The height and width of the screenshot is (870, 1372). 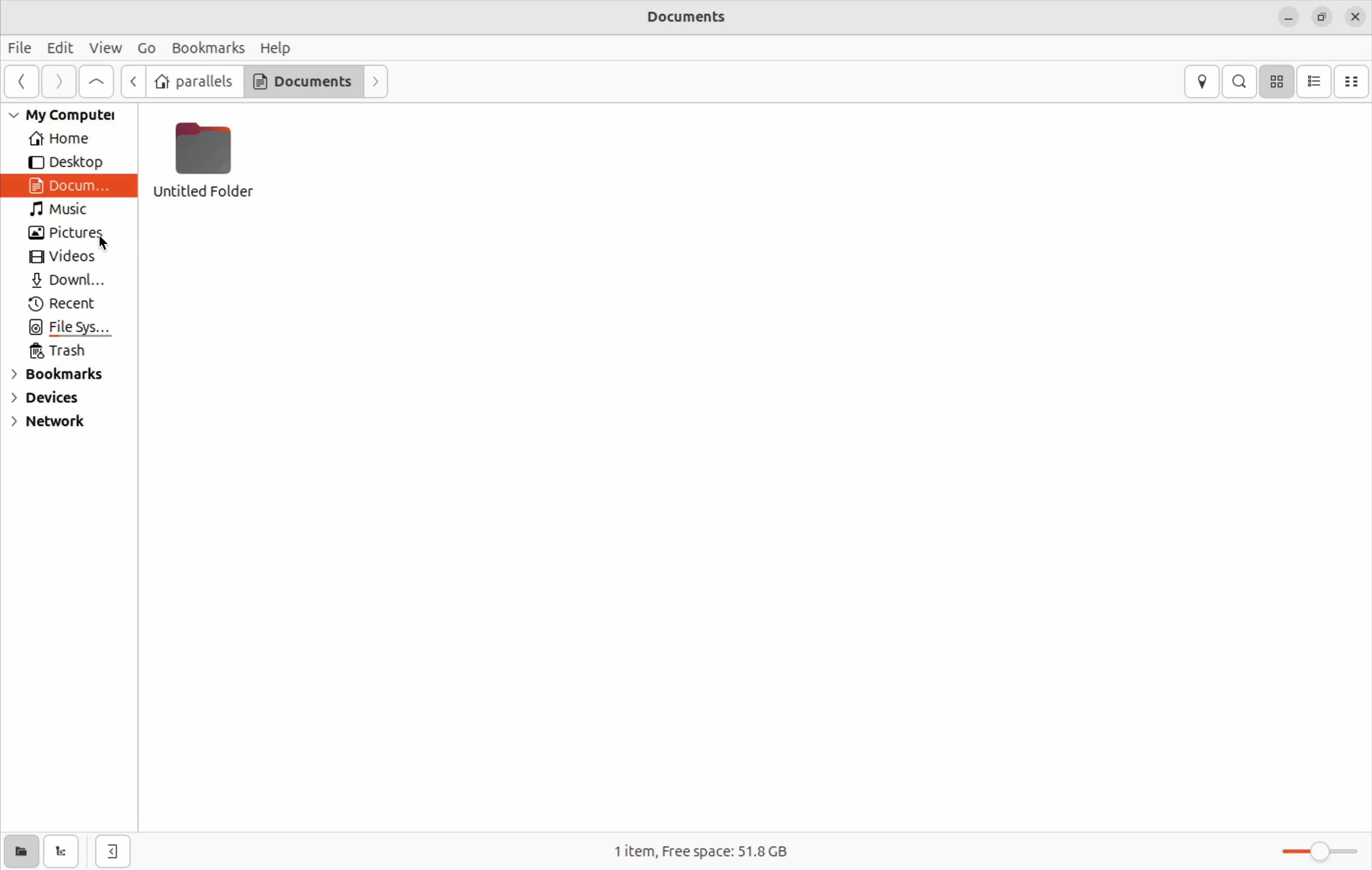 What do you see at coordinates (20, 80) in the screenshot?
I see `go back` at bounding box center [20, 80].